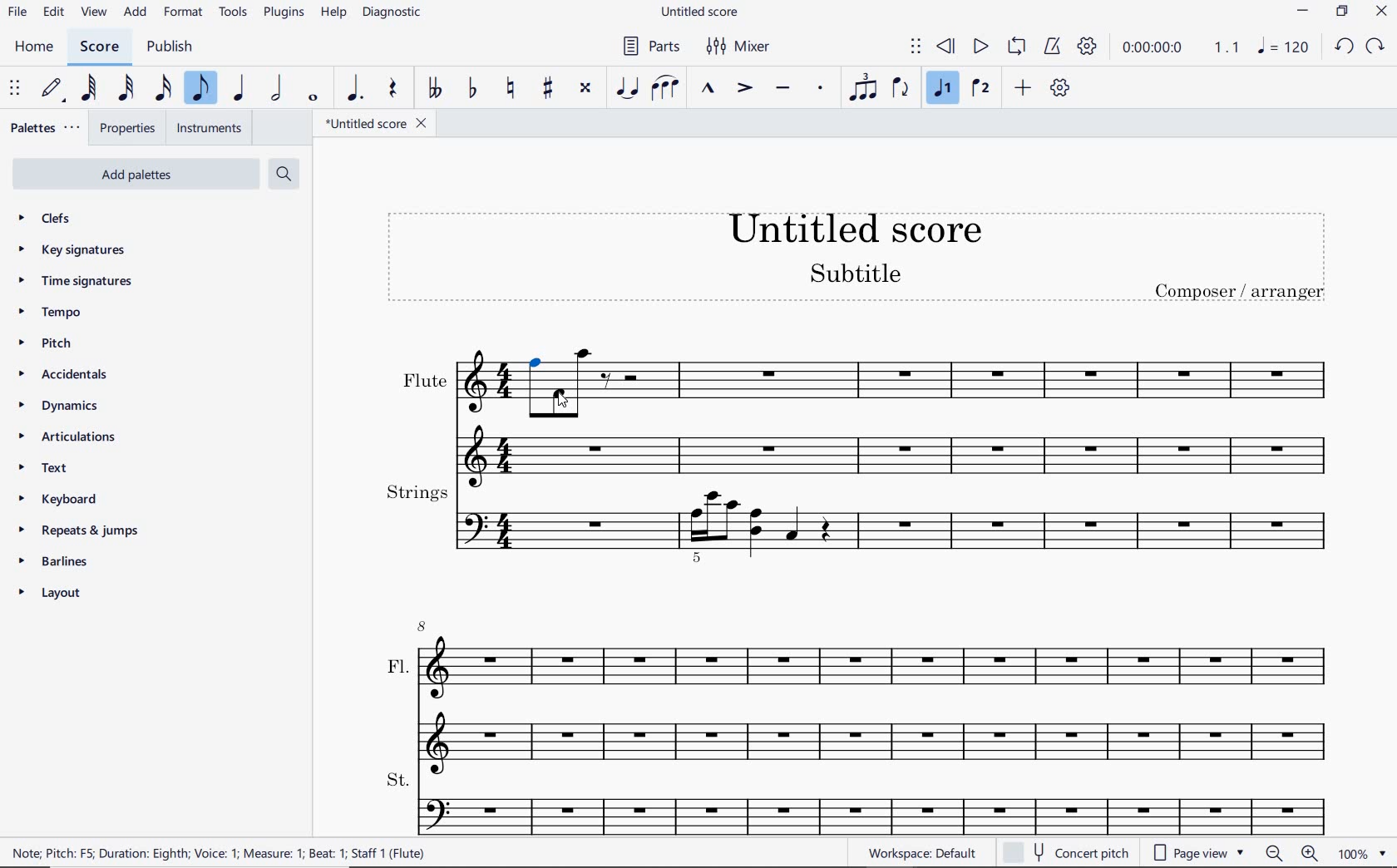 The image size is (1397, 868). What do you see at coordinates (279, 90) in the screenshot?
I see `HALF NOTE` at bounding box center [279, 90].